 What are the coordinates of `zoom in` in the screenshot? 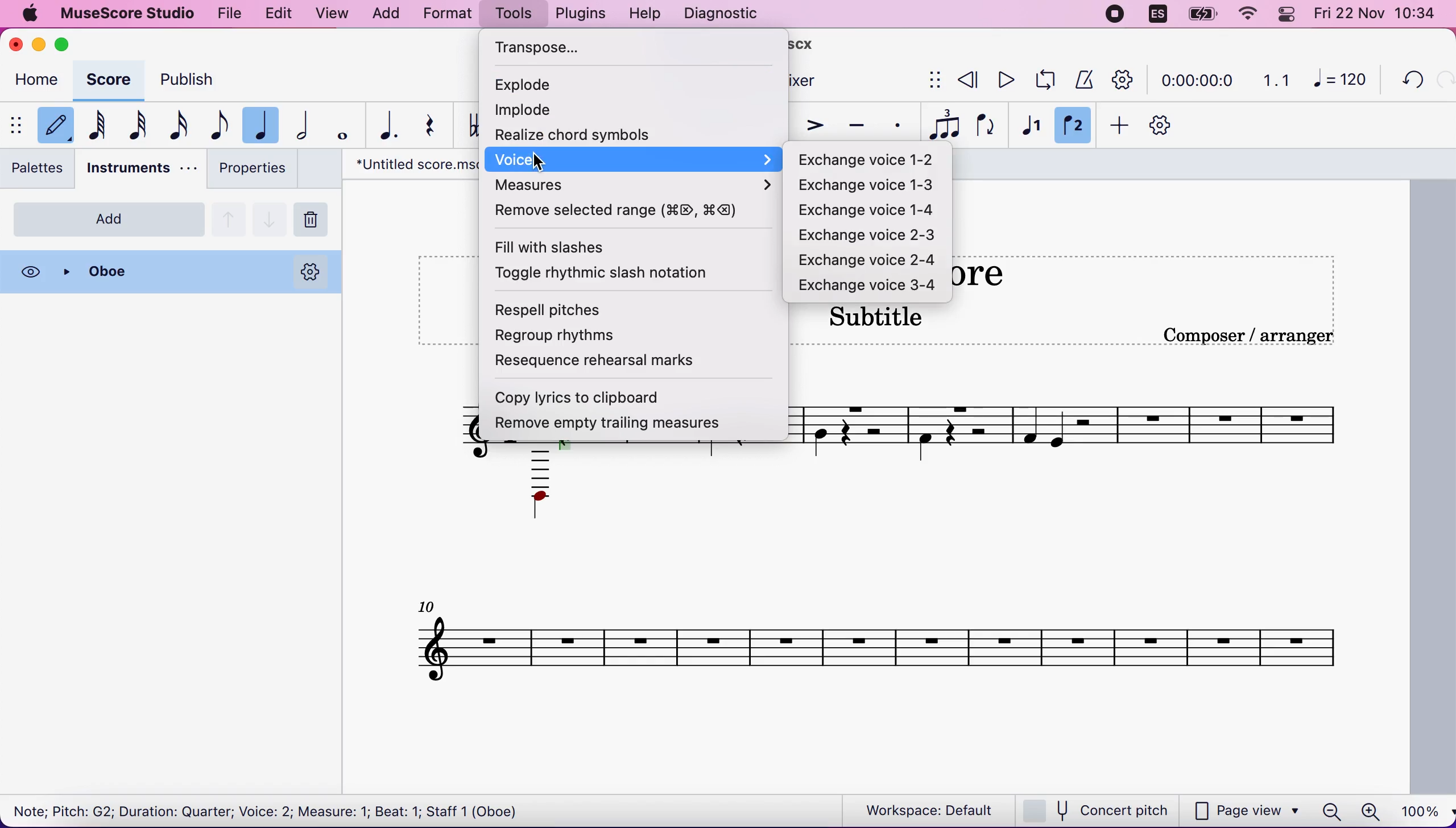 It's located at (1371, 810).